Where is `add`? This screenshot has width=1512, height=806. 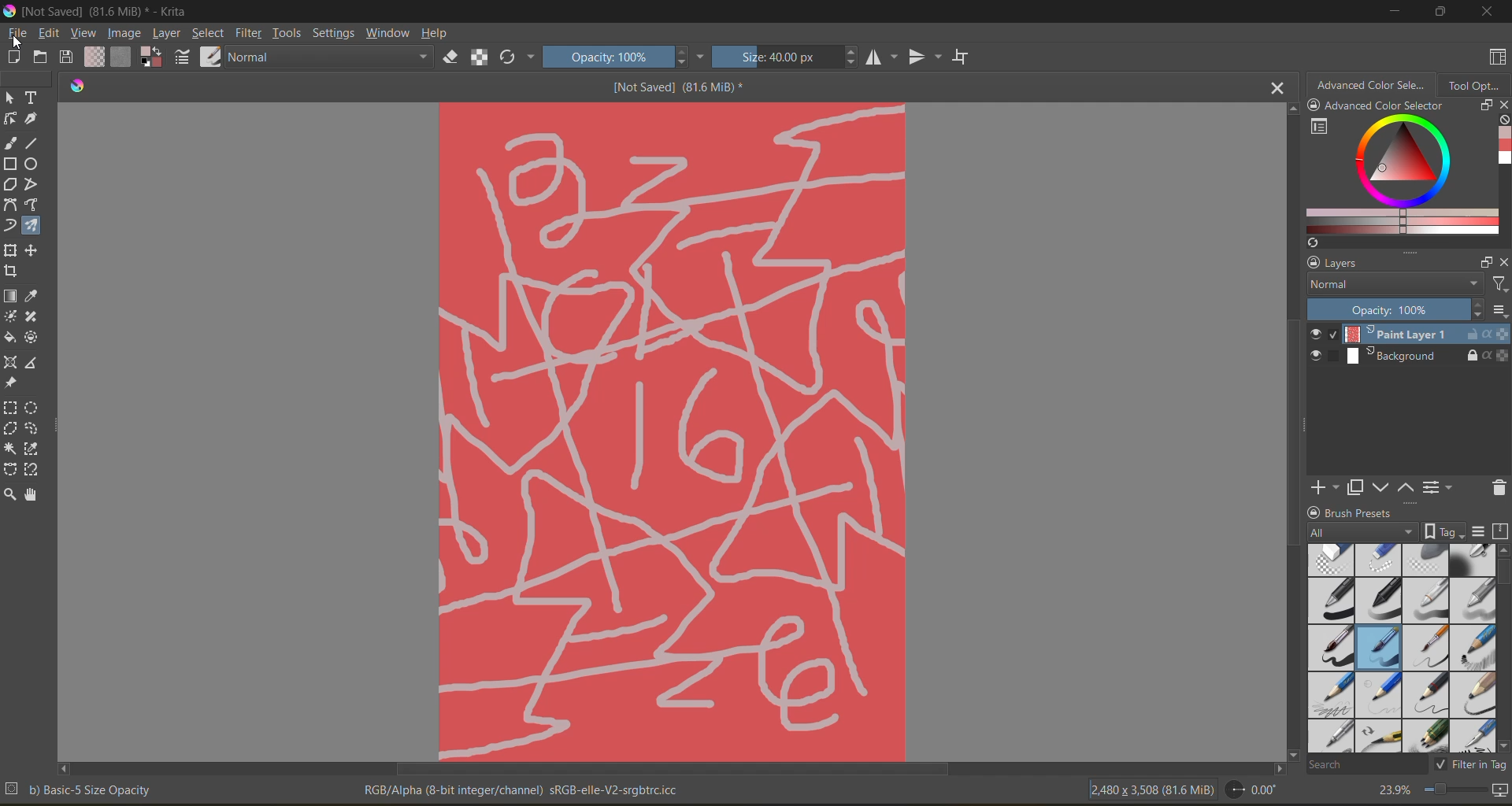 add is located at coordinates (1322, 486).